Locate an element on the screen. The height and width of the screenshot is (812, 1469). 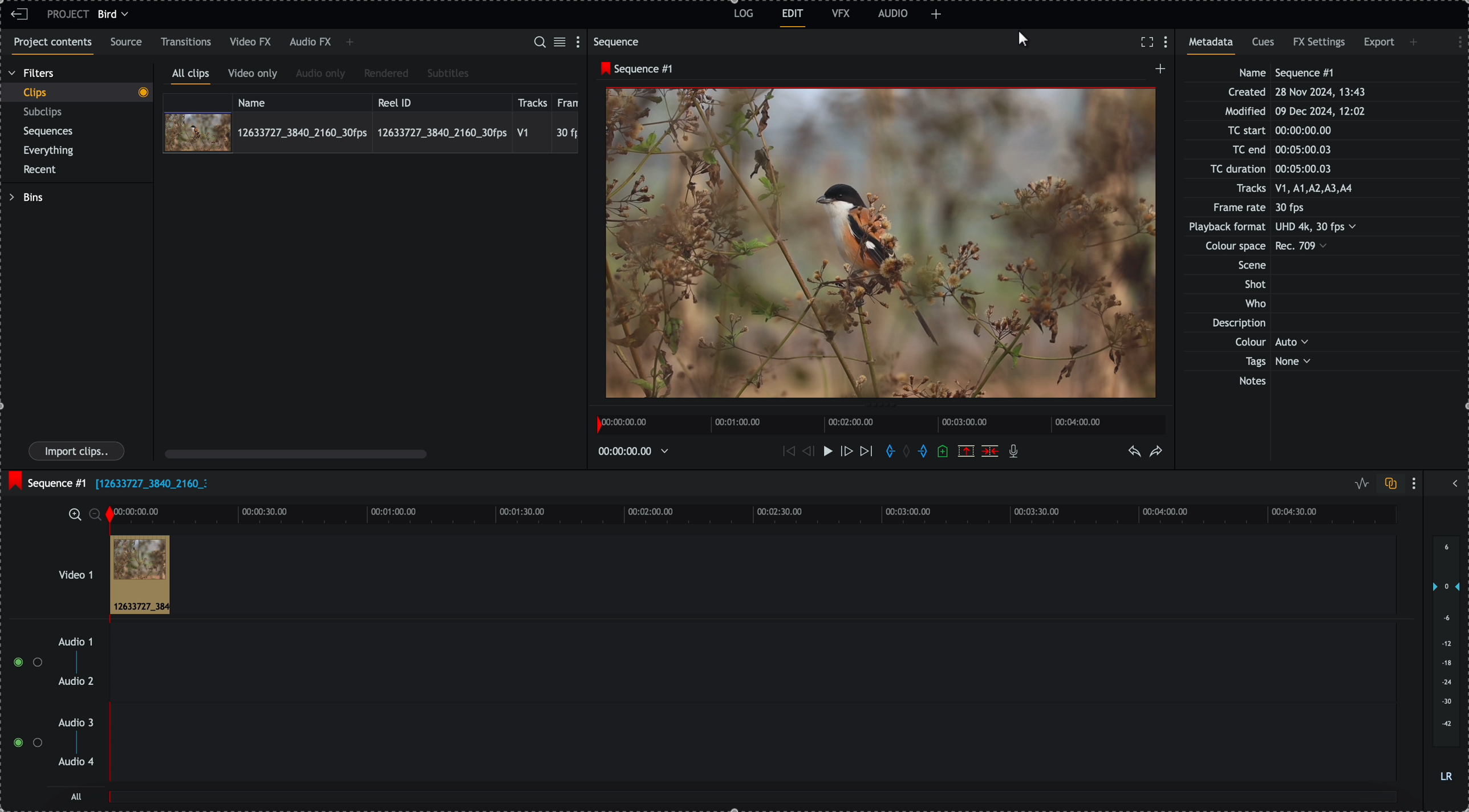
audio 2 is located at coordinates (74, 682).